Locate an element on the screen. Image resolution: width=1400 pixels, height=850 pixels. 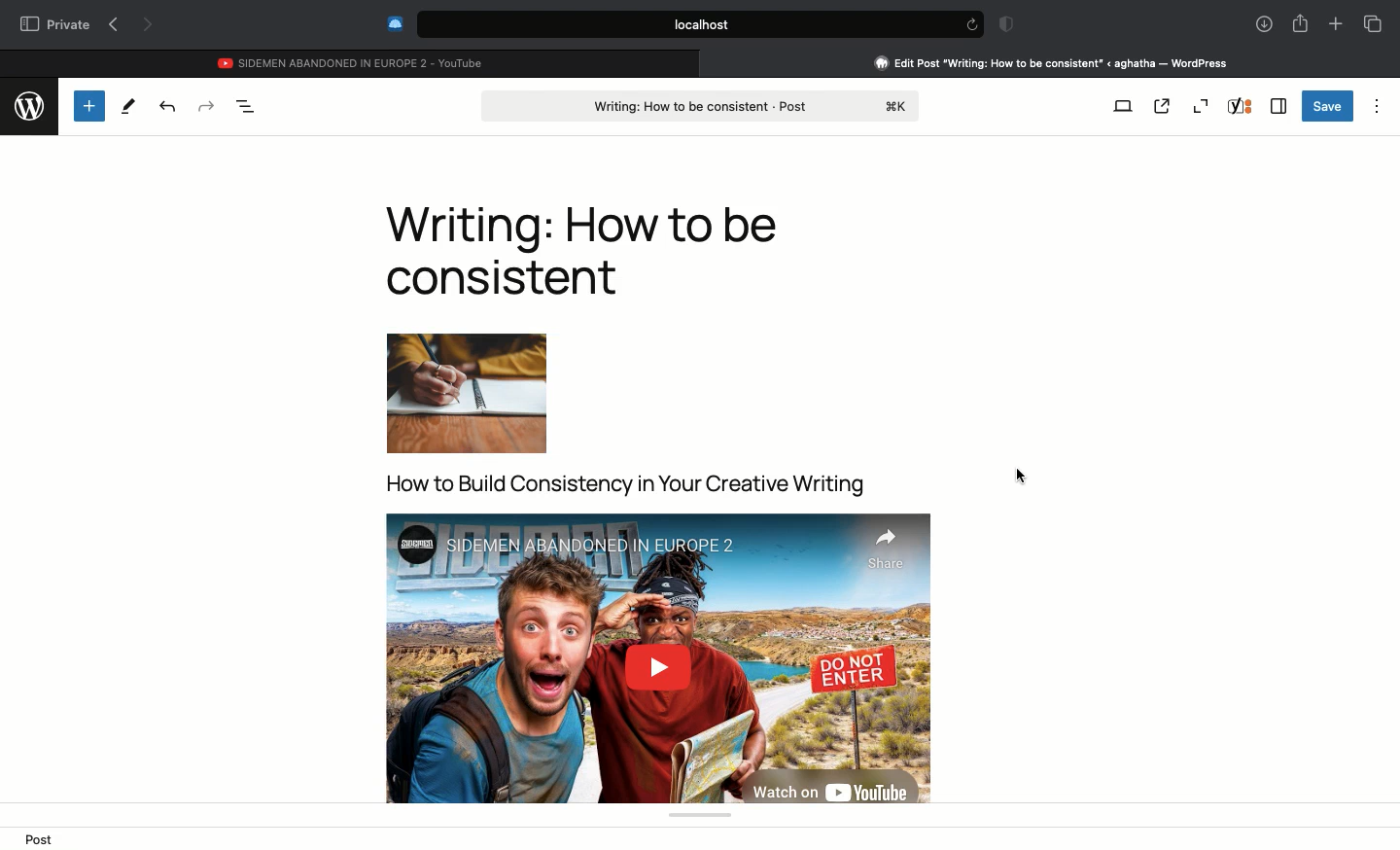
View post is located at coordinates (1162, 105).